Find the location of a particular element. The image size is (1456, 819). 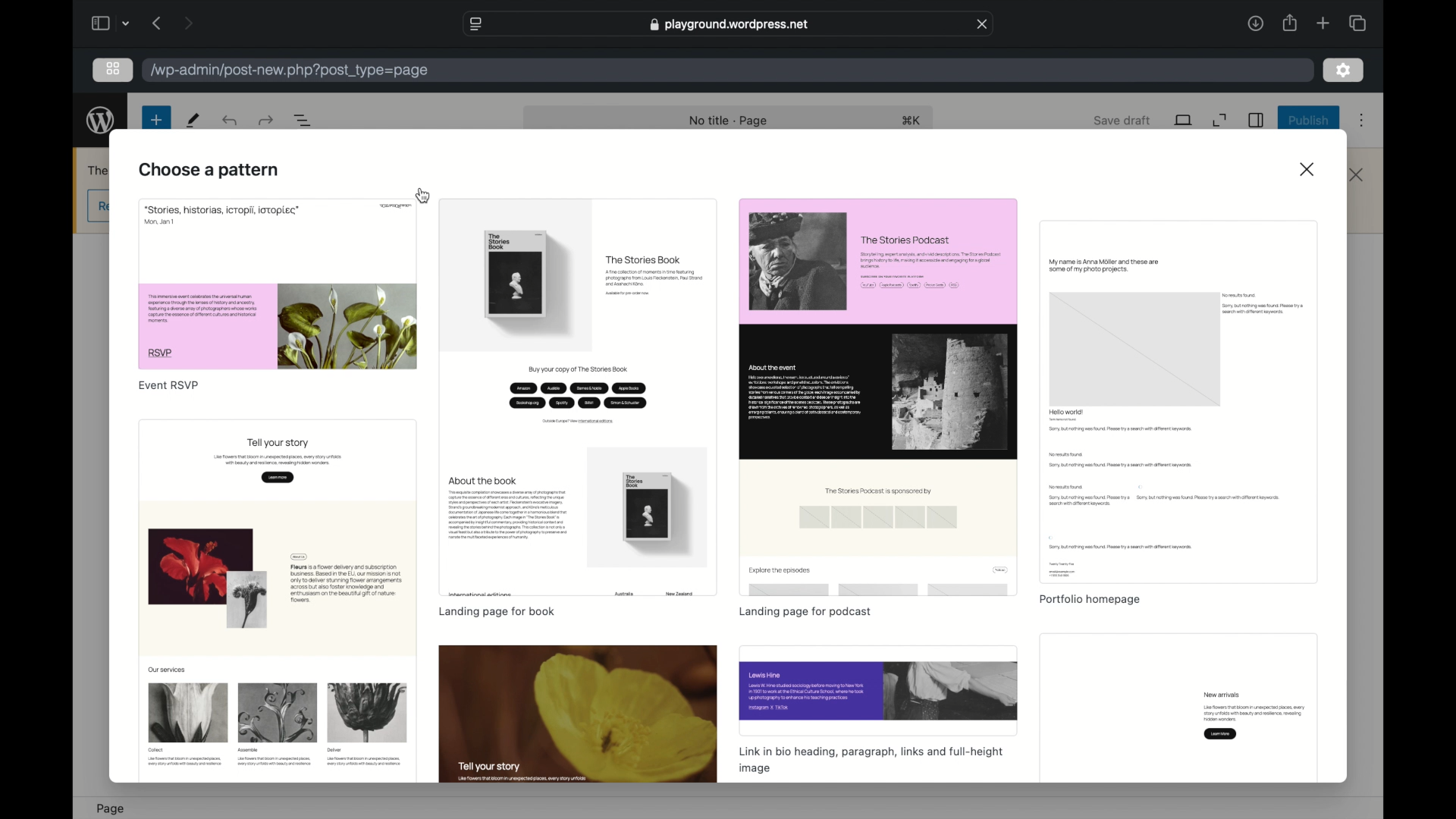

previous page is located at coordinates (158, 23).